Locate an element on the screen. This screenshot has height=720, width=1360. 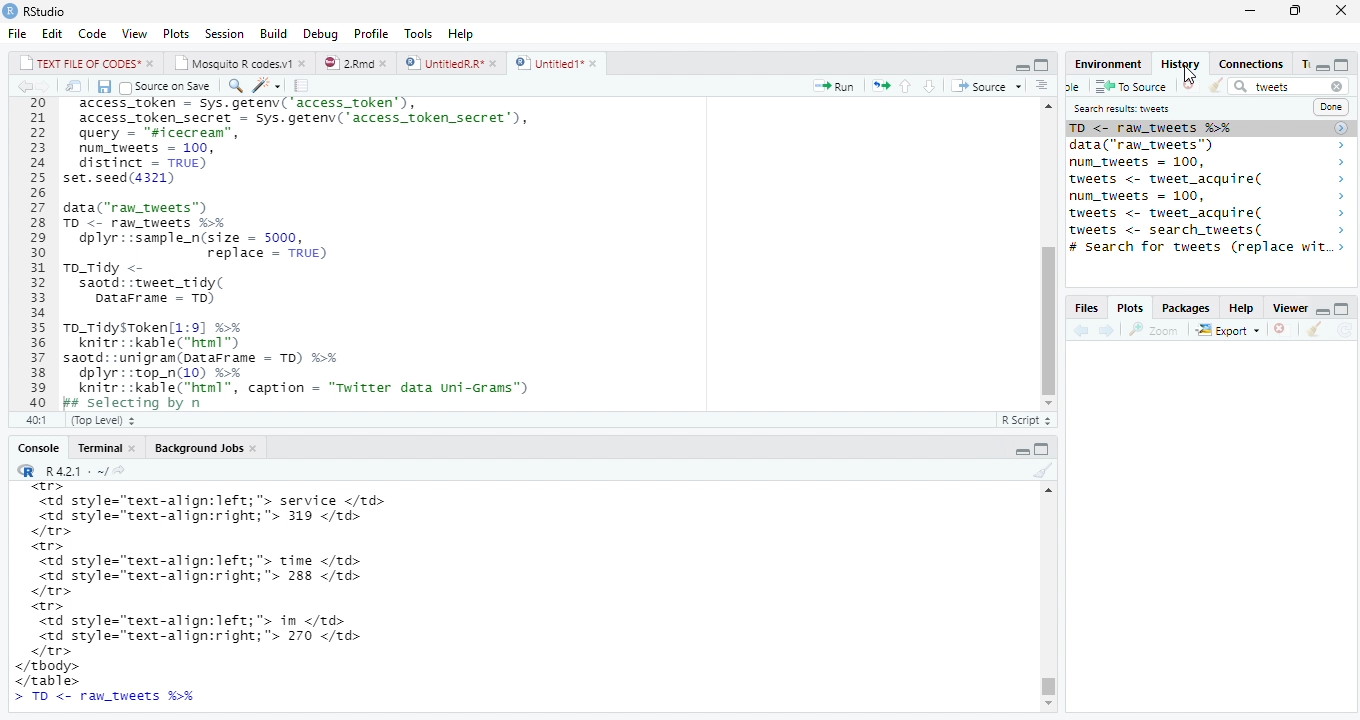
Done is located at coordinates (1326, 105).